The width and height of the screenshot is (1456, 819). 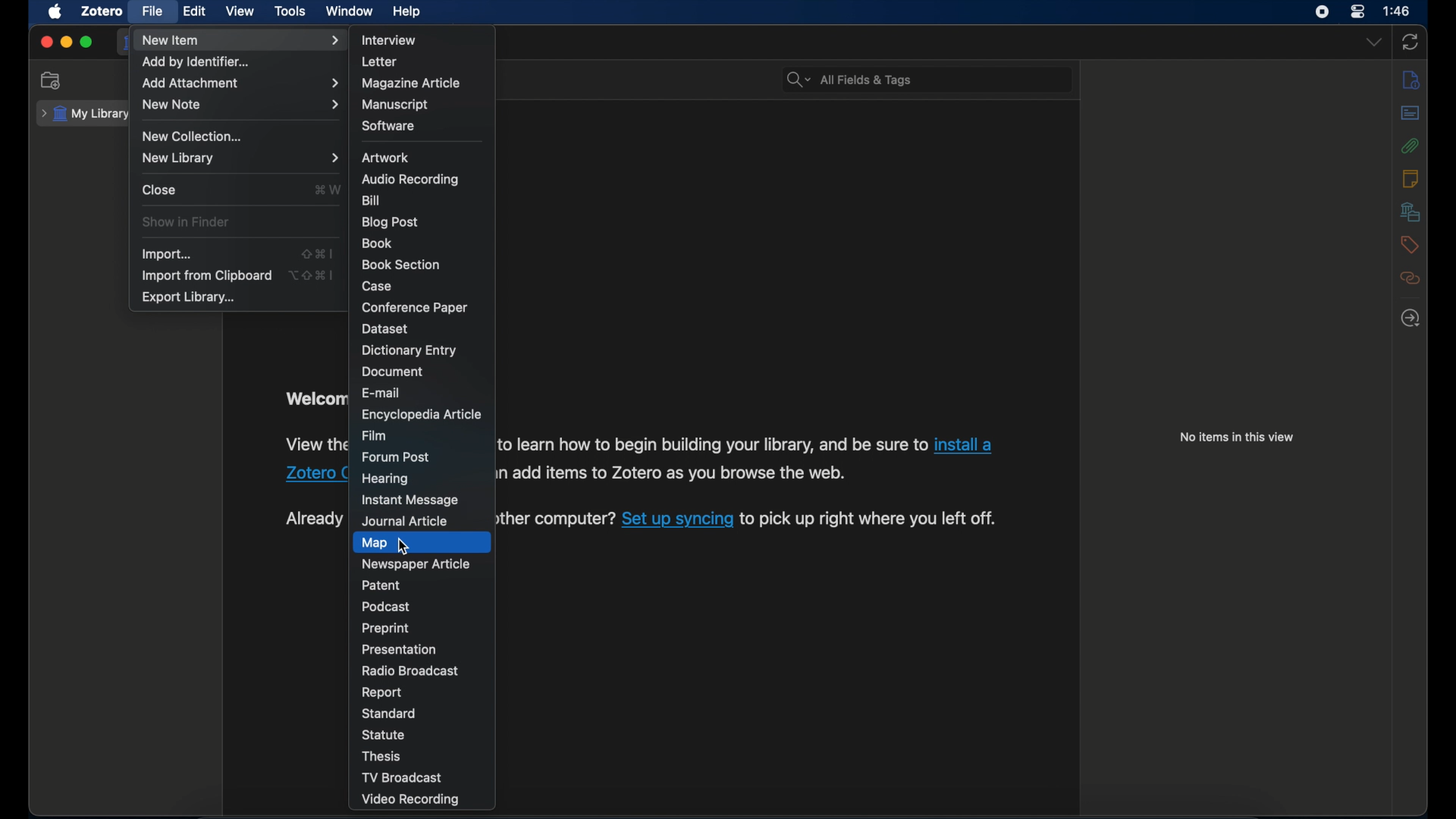 What do you see at coordinates (238, 158) in the screenshot?
I see `new library` at bounding box center [238, 158].